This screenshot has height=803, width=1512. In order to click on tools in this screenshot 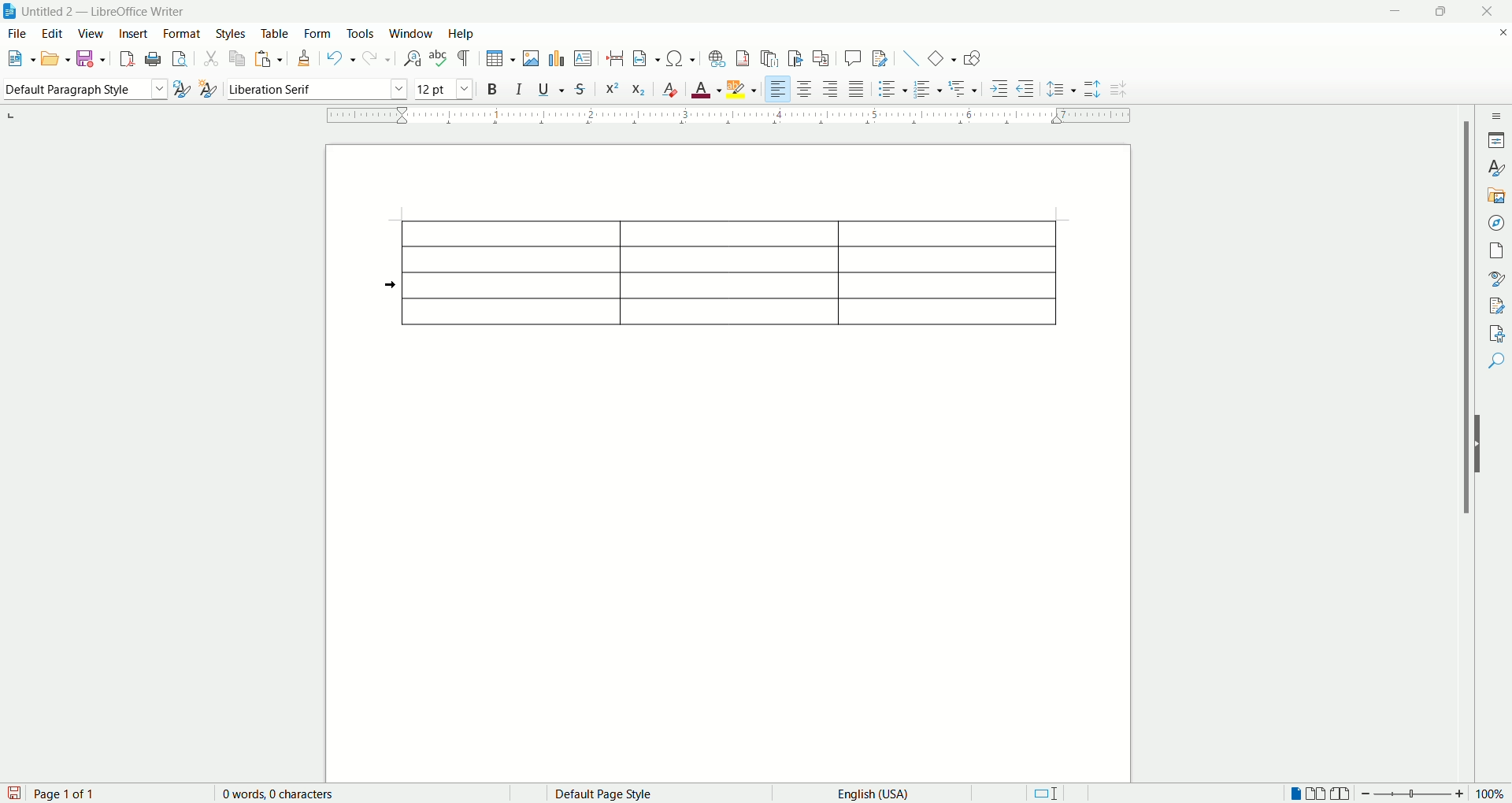, I will do `click(359, 32)`.